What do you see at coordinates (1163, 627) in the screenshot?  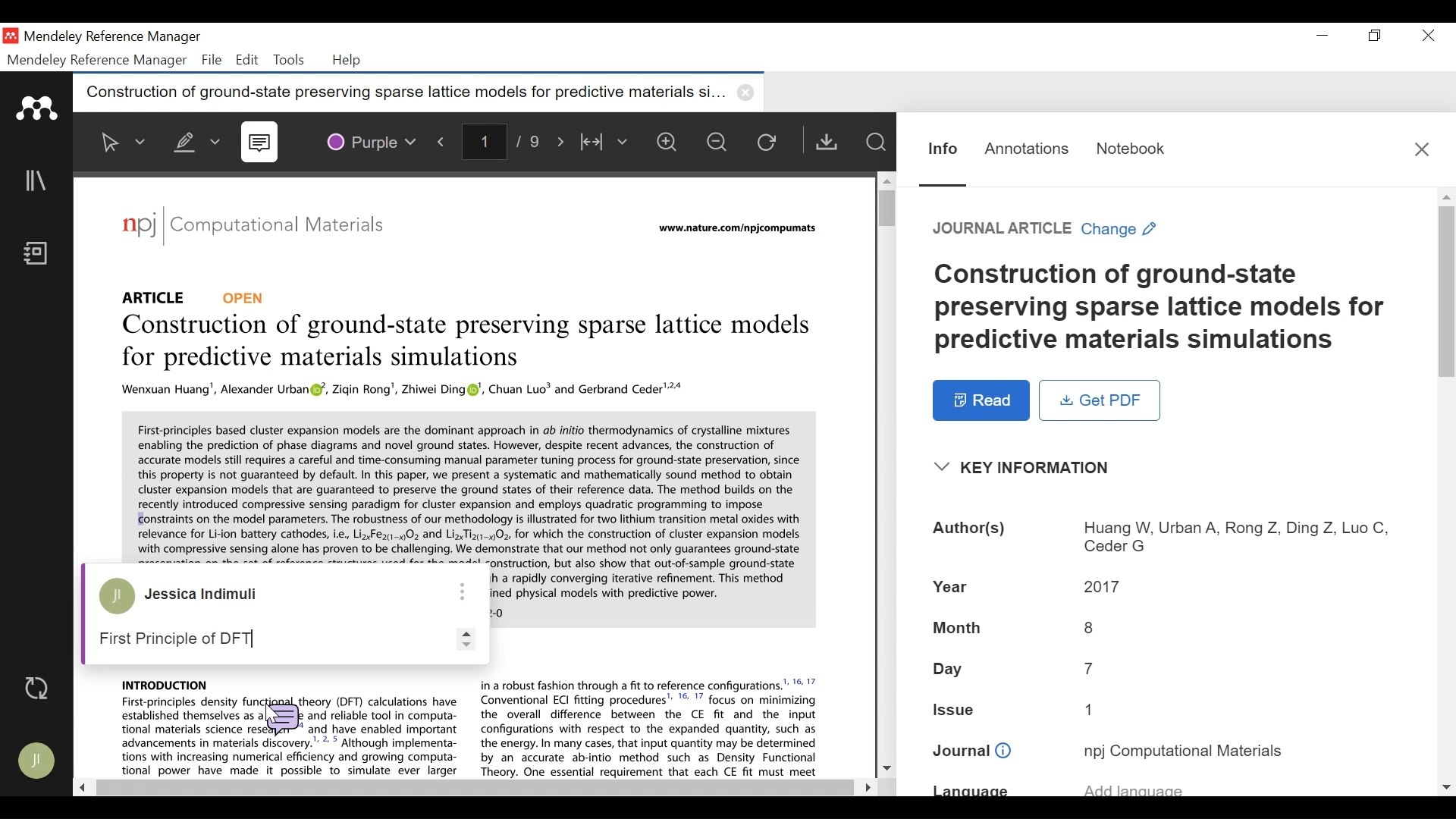 I see `Month` at bounding box center [1163, 627].